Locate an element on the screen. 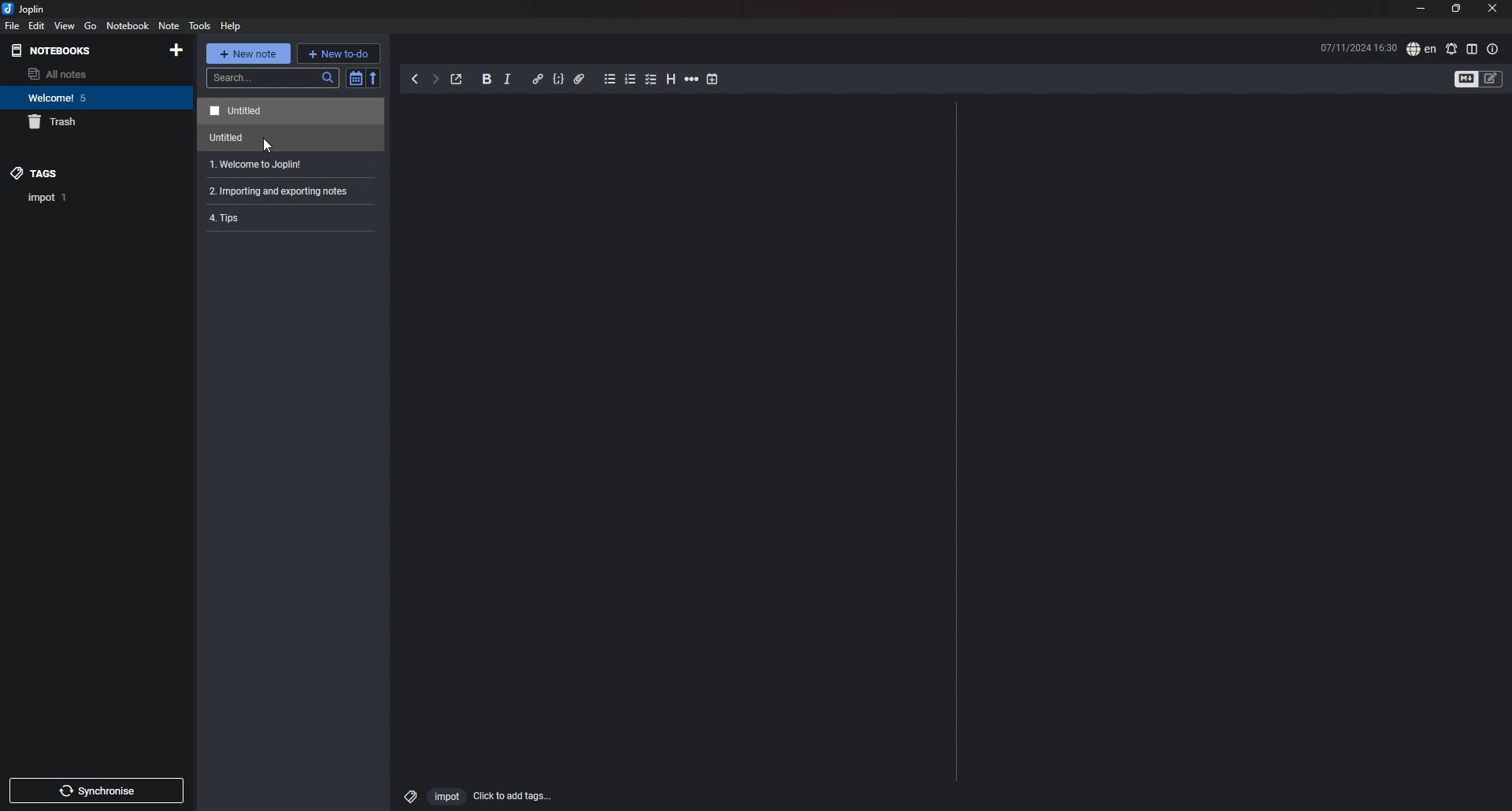 Image resolution: width=1512 pixels, height=811 pixels. toggle sort order is located at coordinates (355, 79).